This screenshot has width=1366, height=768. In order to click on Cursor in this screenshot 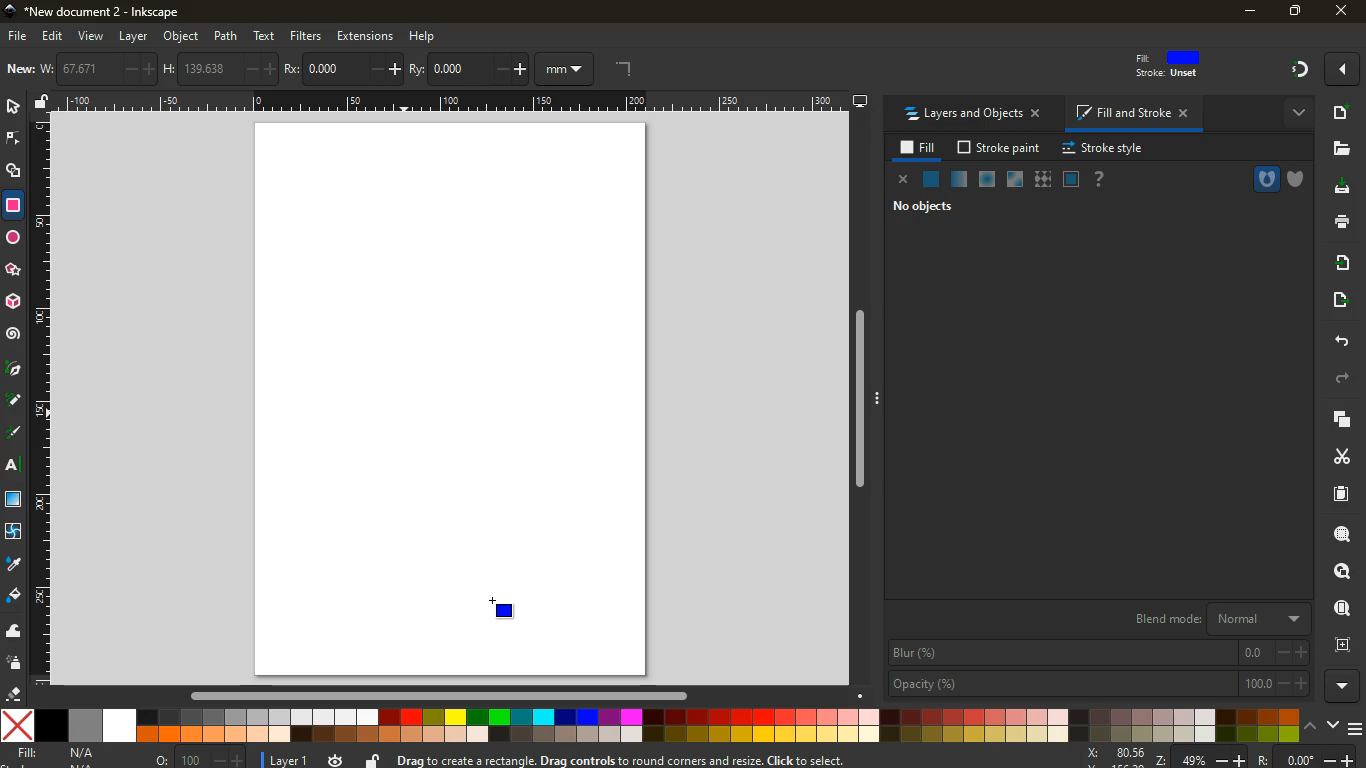, I will do `click(502, 607)`.